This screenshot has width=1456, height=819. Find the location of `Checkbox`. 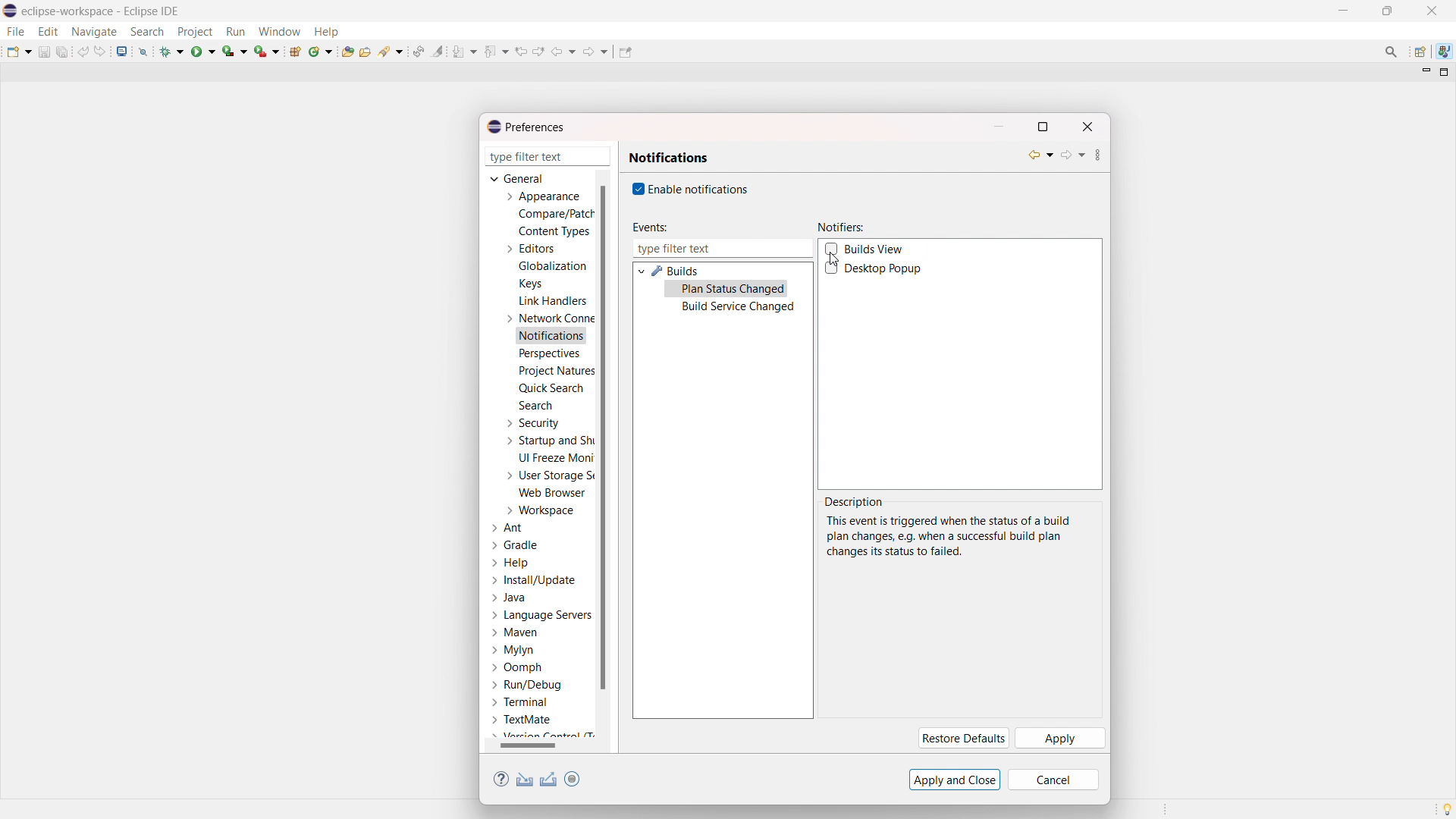

Checkbox is located at coordinates (831, 248).